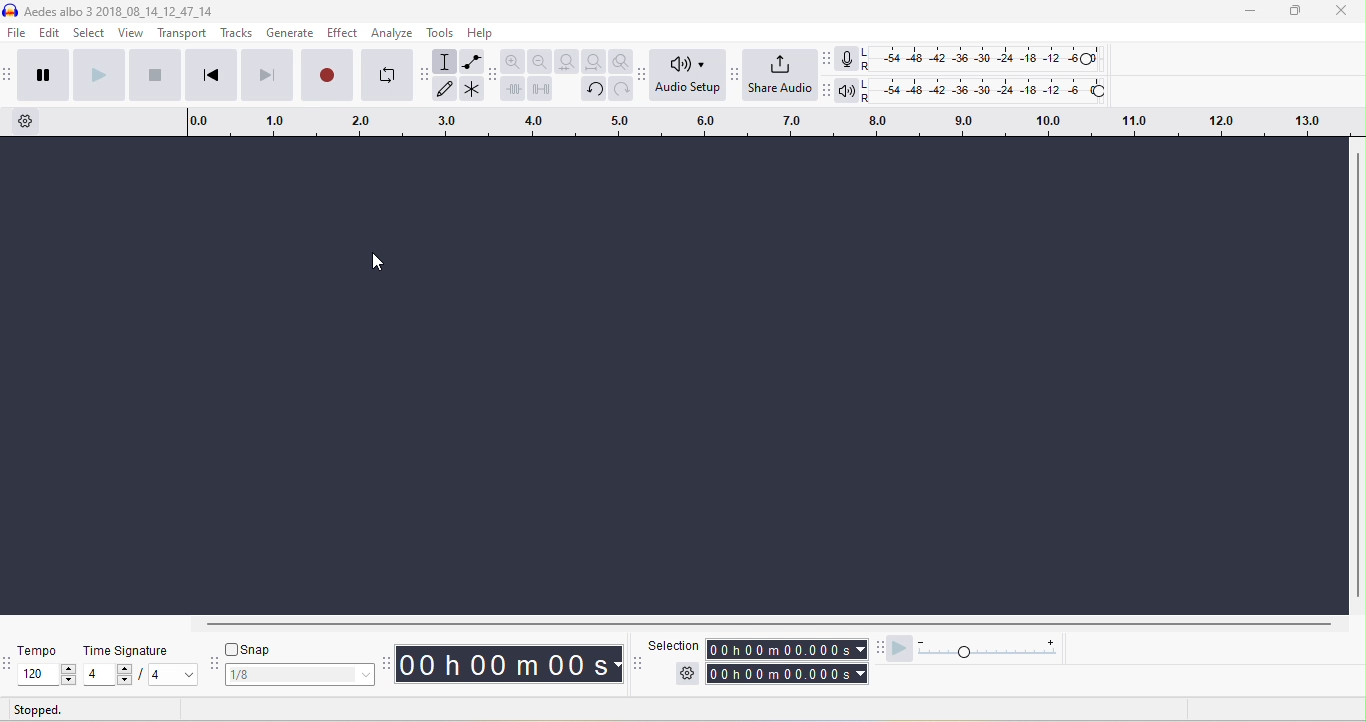  Describe the element at coordinates (98, 73) in the screenshot. I see `play` at that location.